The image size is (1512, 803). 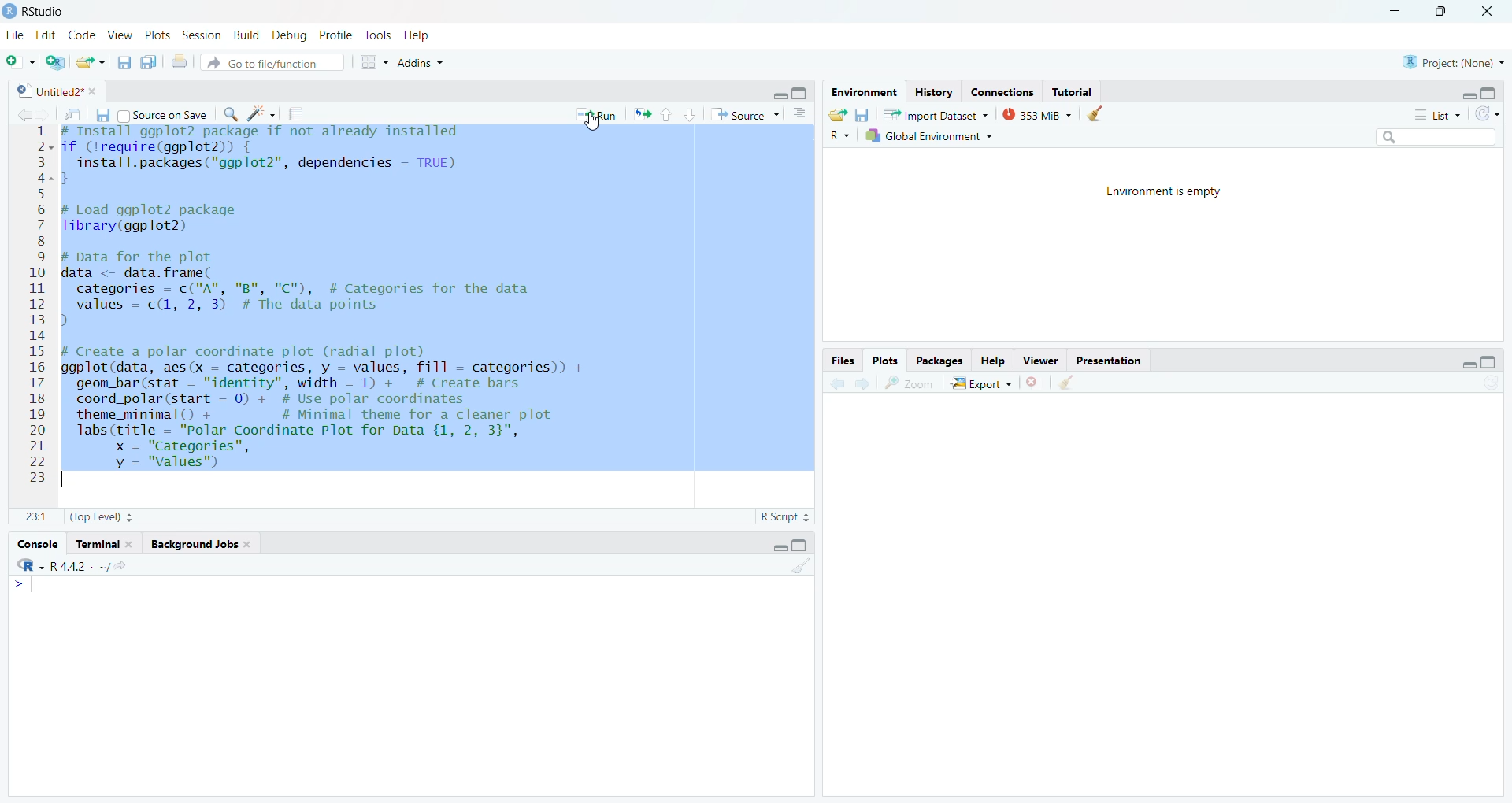 I want to click on open an existing file, so click(x=91, y=62).